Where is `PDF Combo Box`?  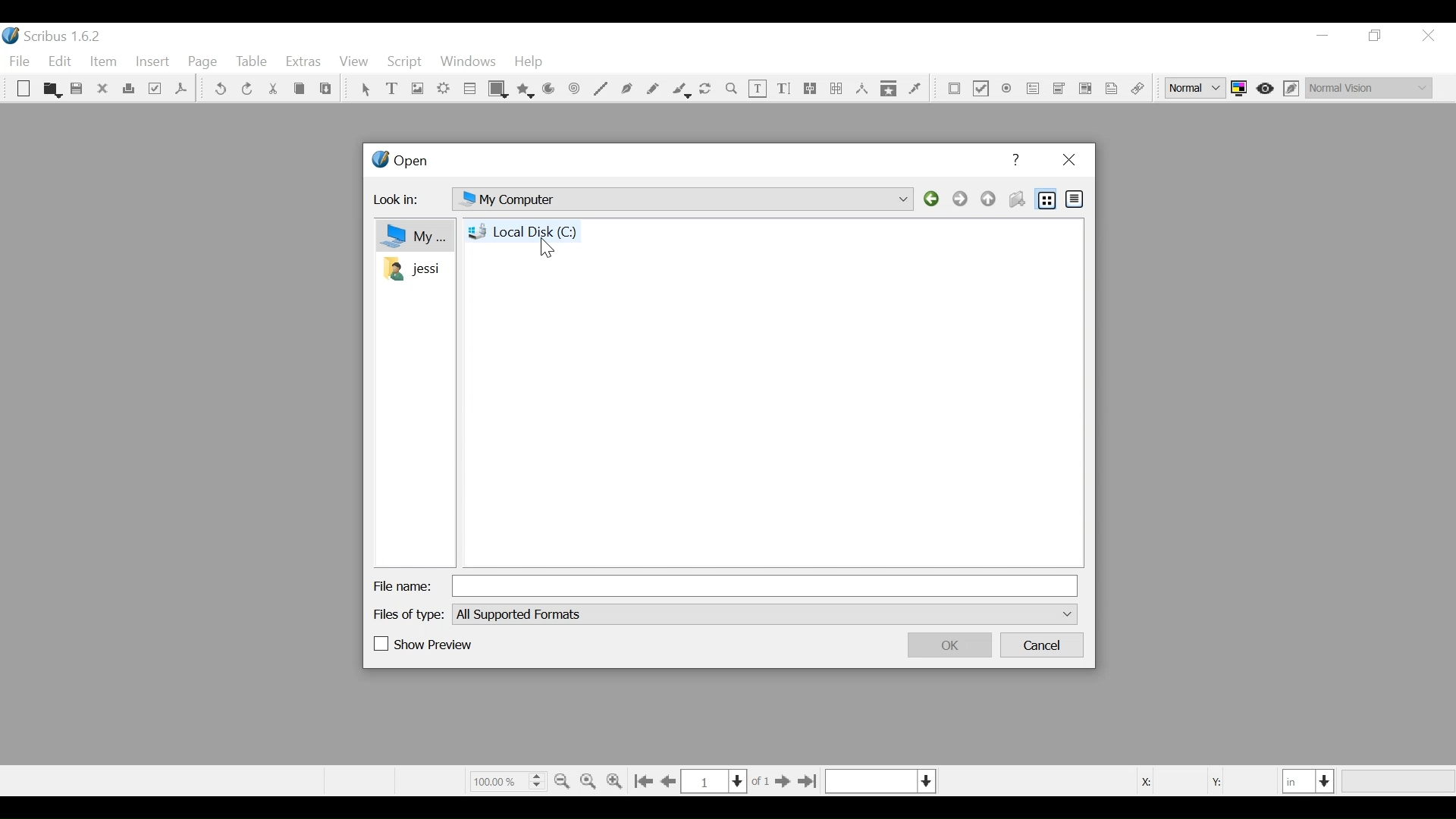 PDF Combo Box is located at coordinates (1034, 90).